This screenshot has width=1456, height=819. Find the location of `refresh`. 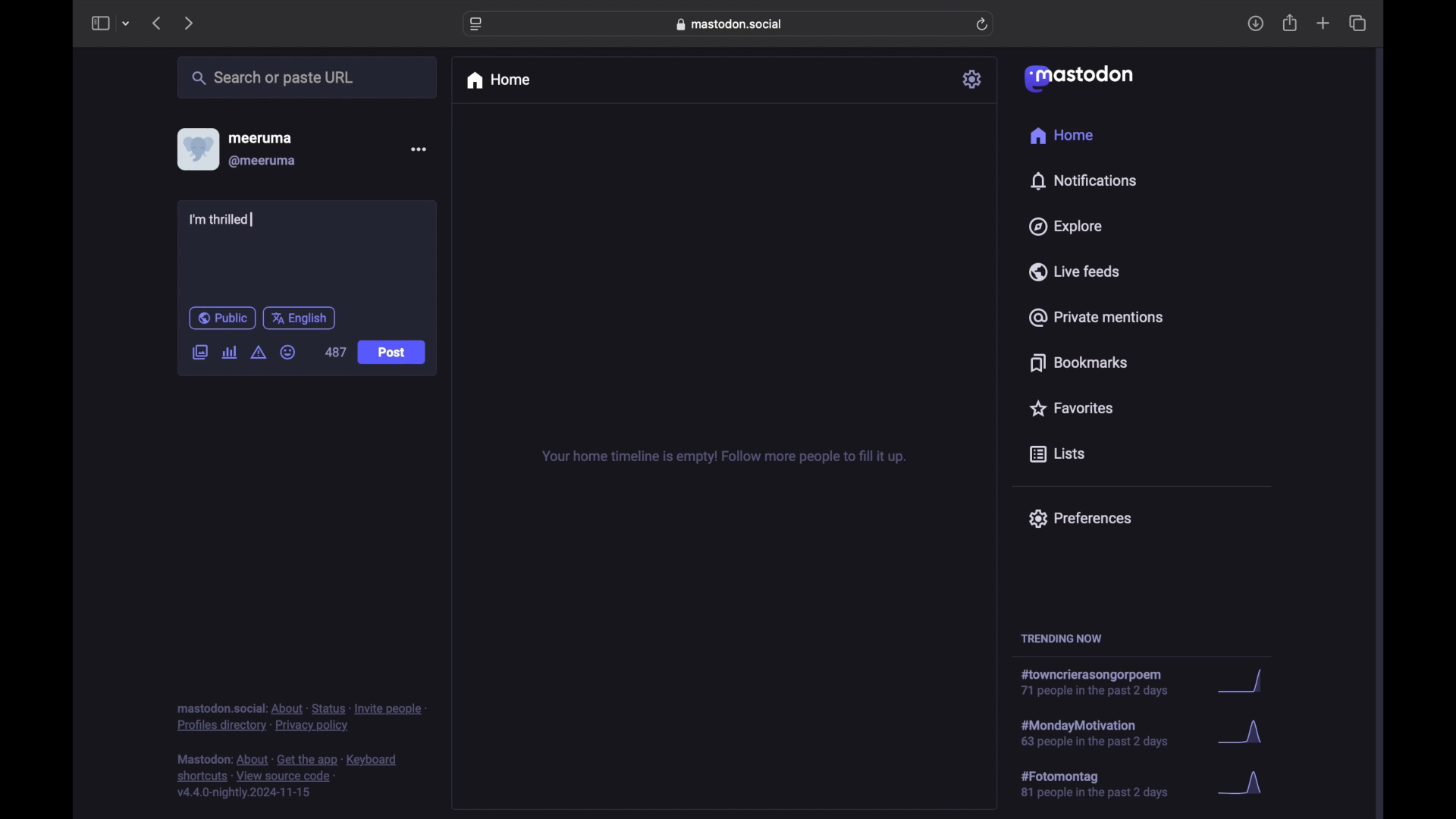

refresh is located at coordinates (982, 24).